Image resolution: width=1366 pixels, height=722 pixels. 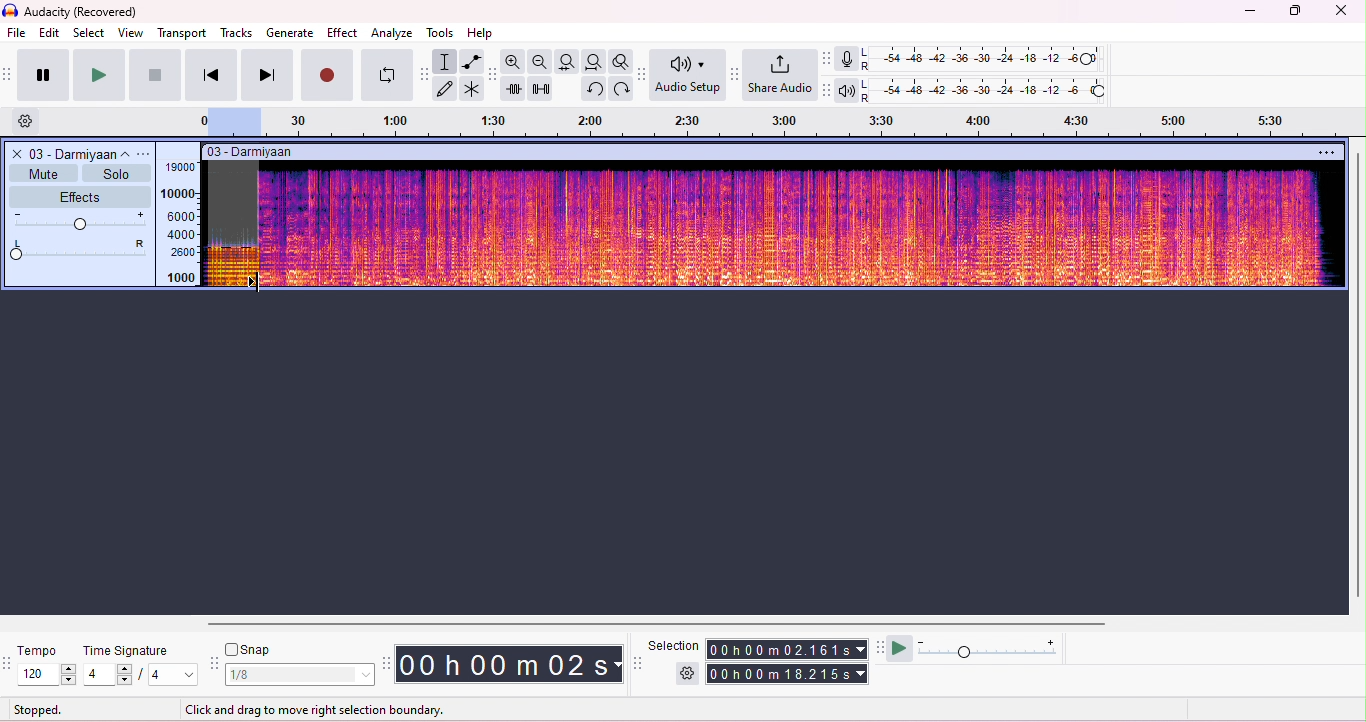 I want to click on next, so click(x=267, y=75).